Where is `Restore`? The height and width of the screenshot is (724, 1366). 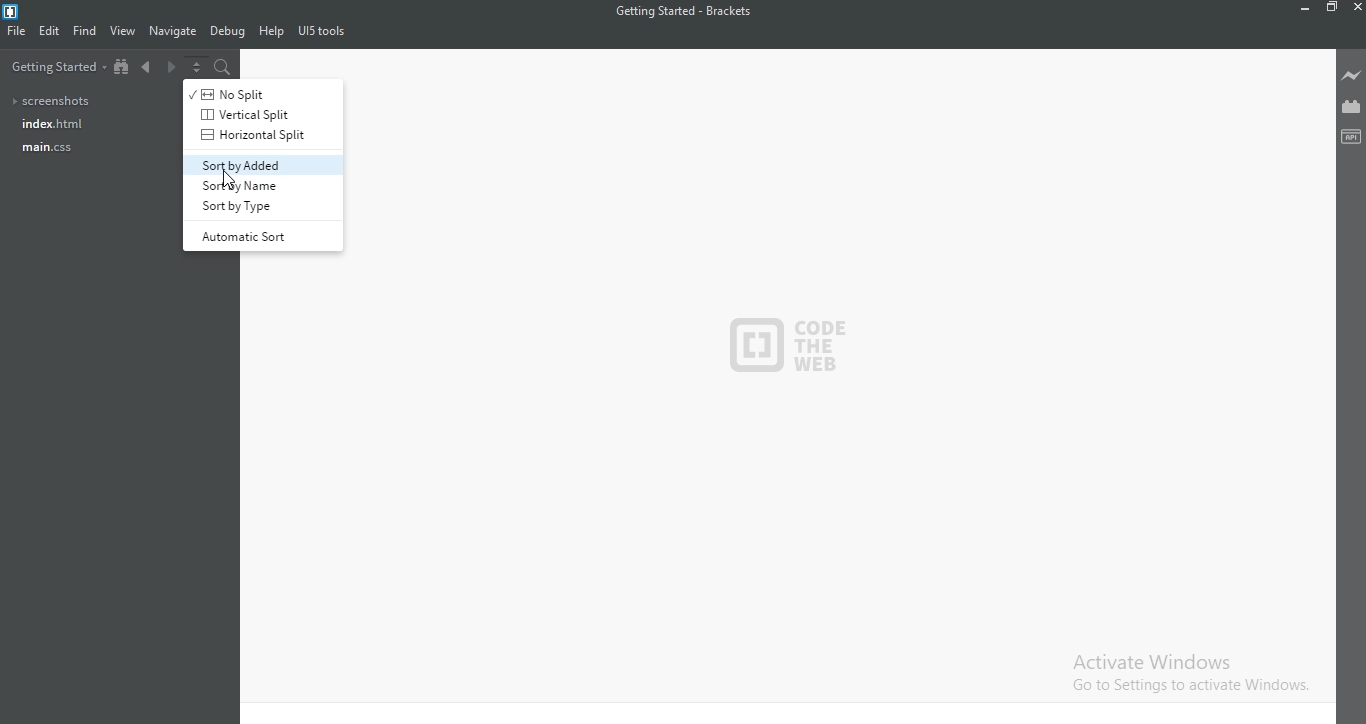
Restore is located at coordinates (1333, 7).